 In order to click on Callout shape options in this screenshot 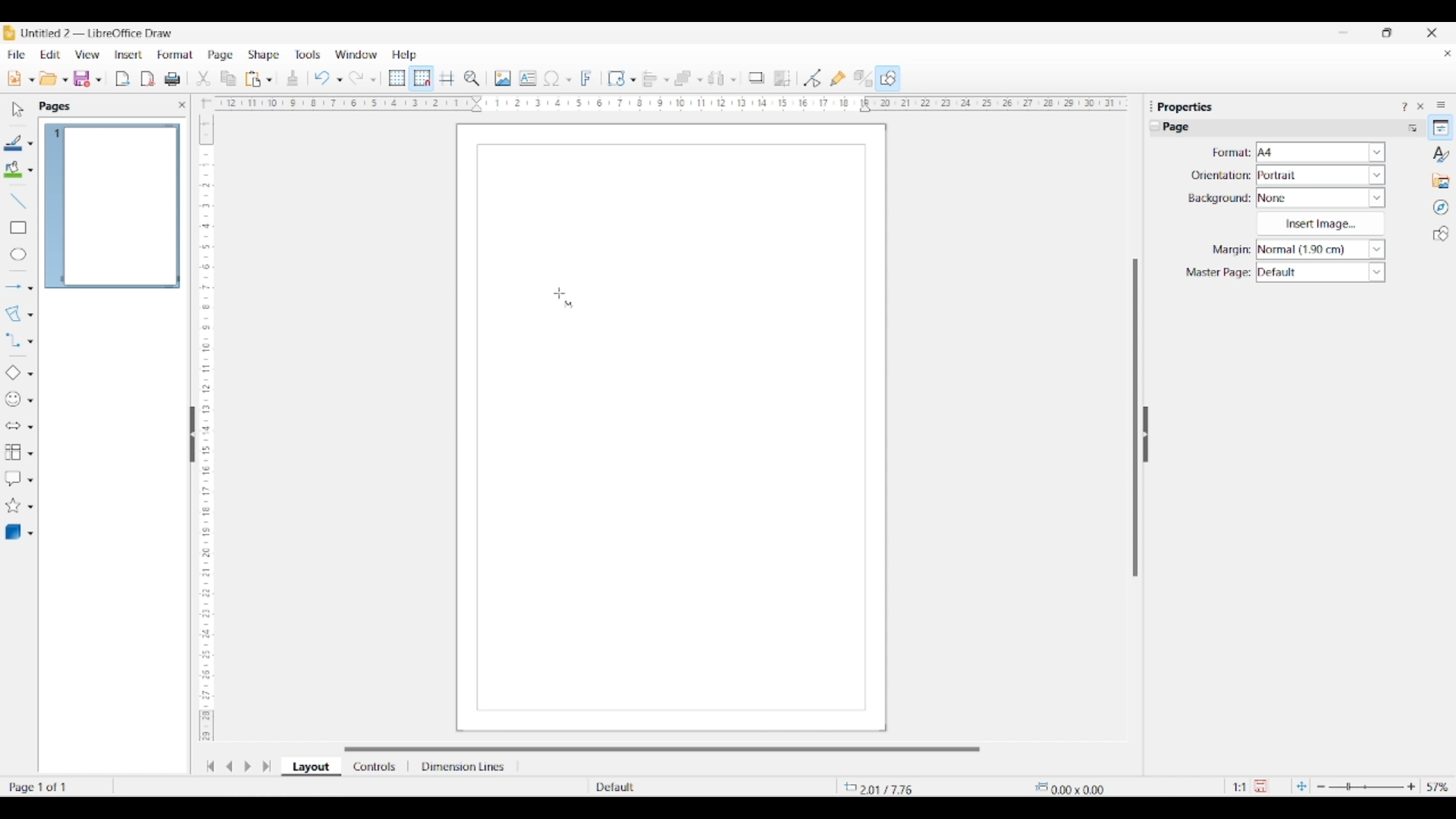, I will do `click(30, 480)`.